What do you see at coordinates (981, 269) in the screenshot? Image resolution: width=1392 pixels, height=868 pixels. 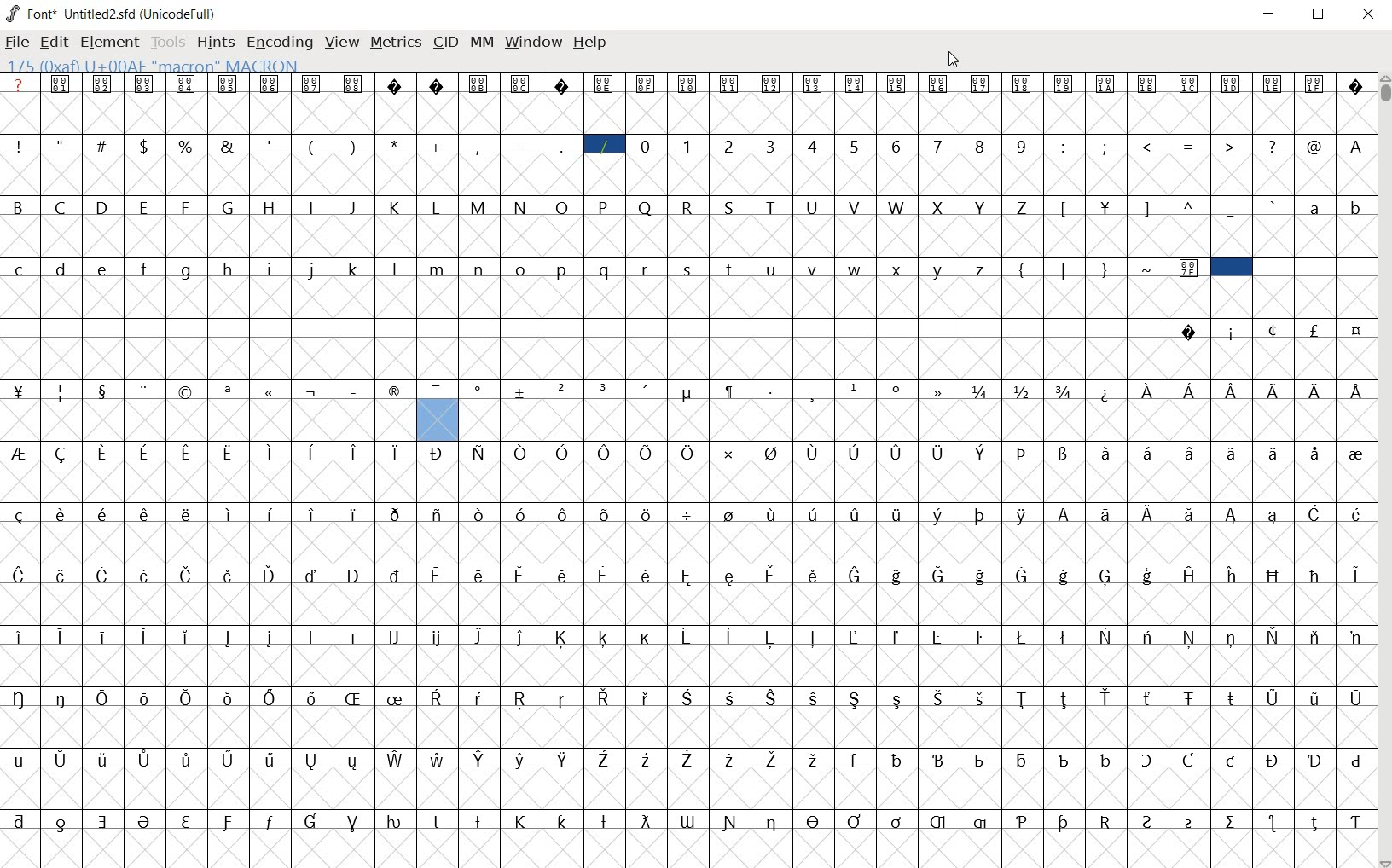 I see `z` at bounding box center [981, 269].